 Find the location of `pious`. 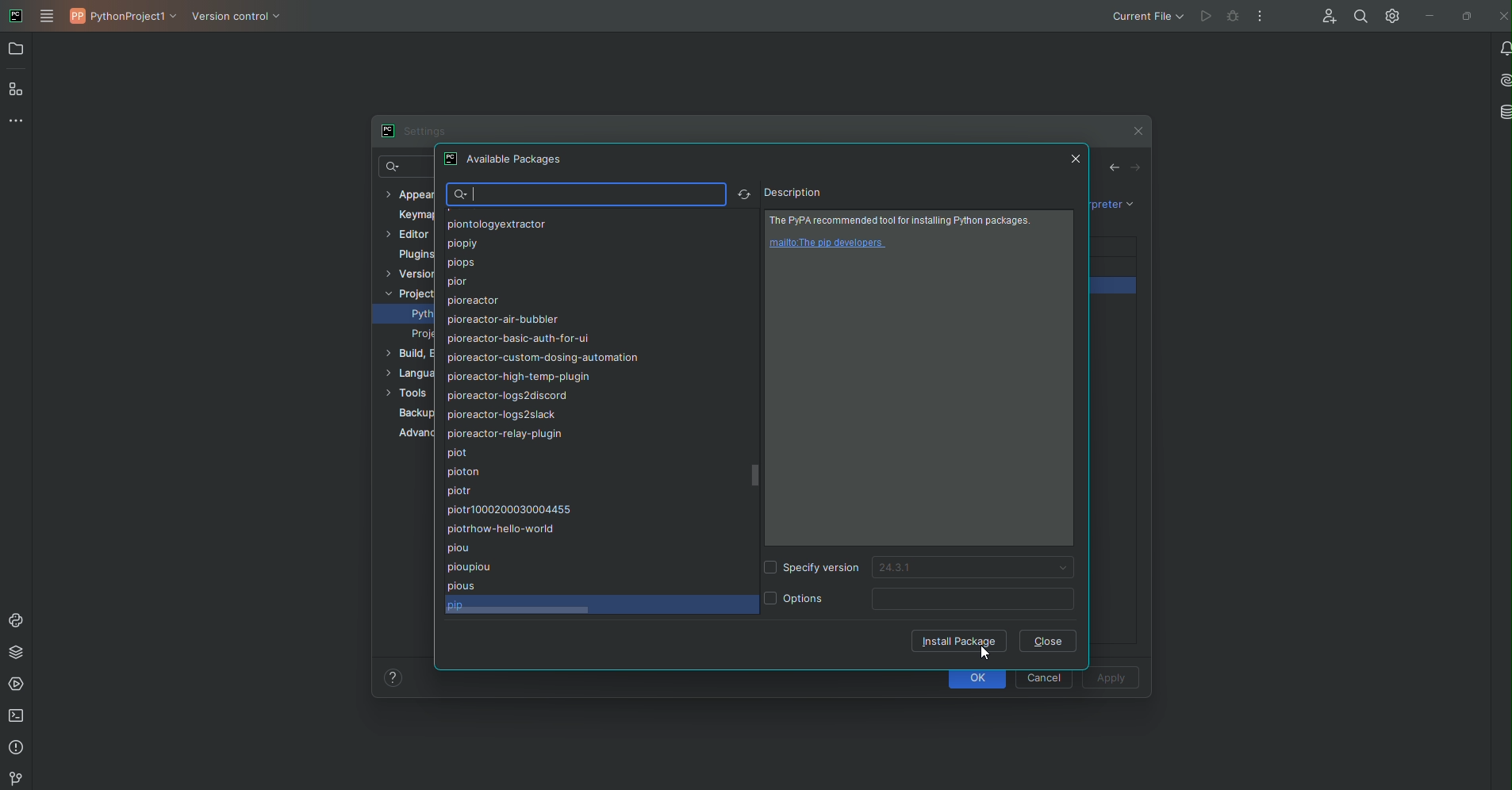

pious is located at coordinates (463, 584).